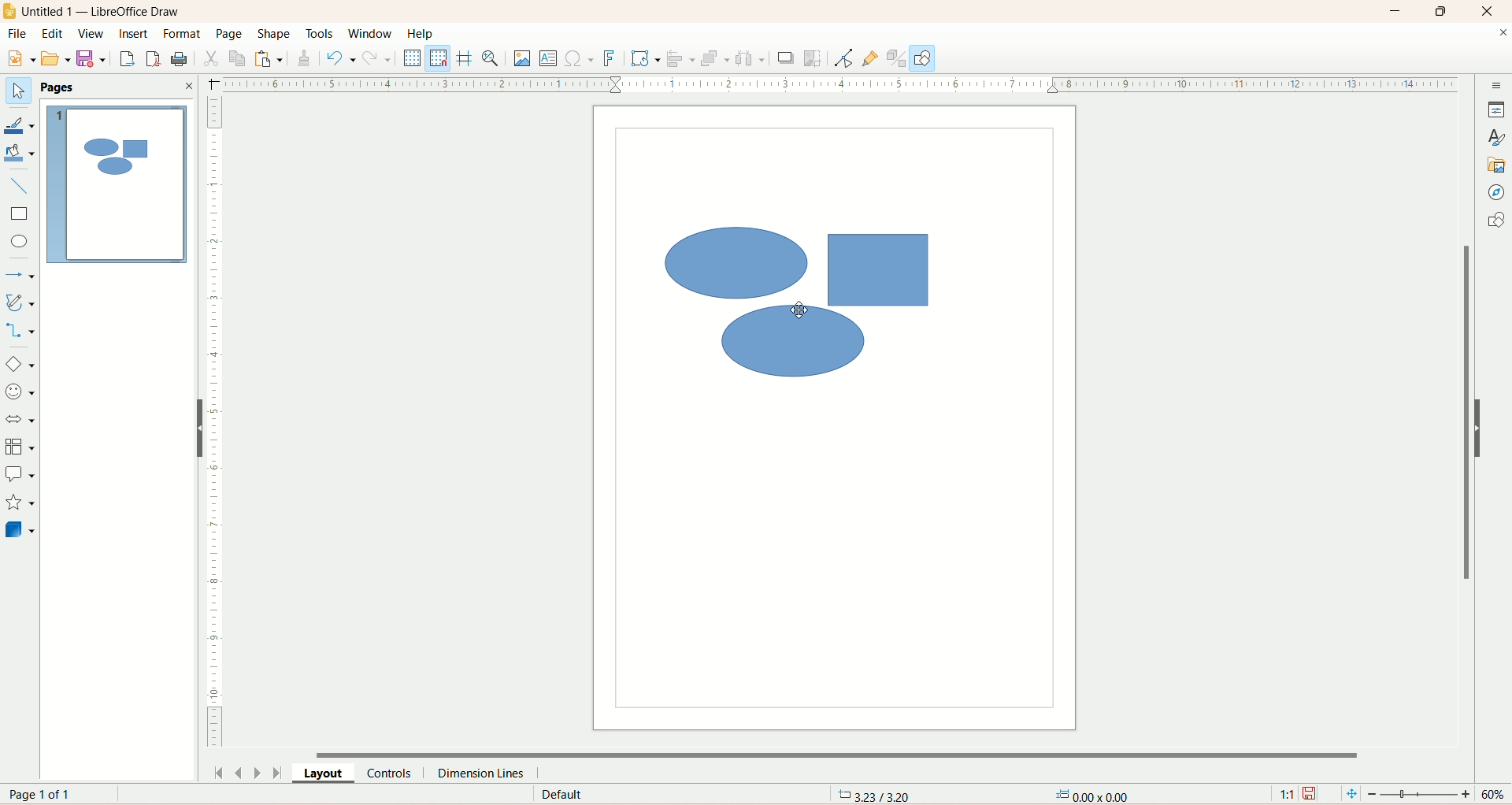  I want to click on insert, so click(138, 39).